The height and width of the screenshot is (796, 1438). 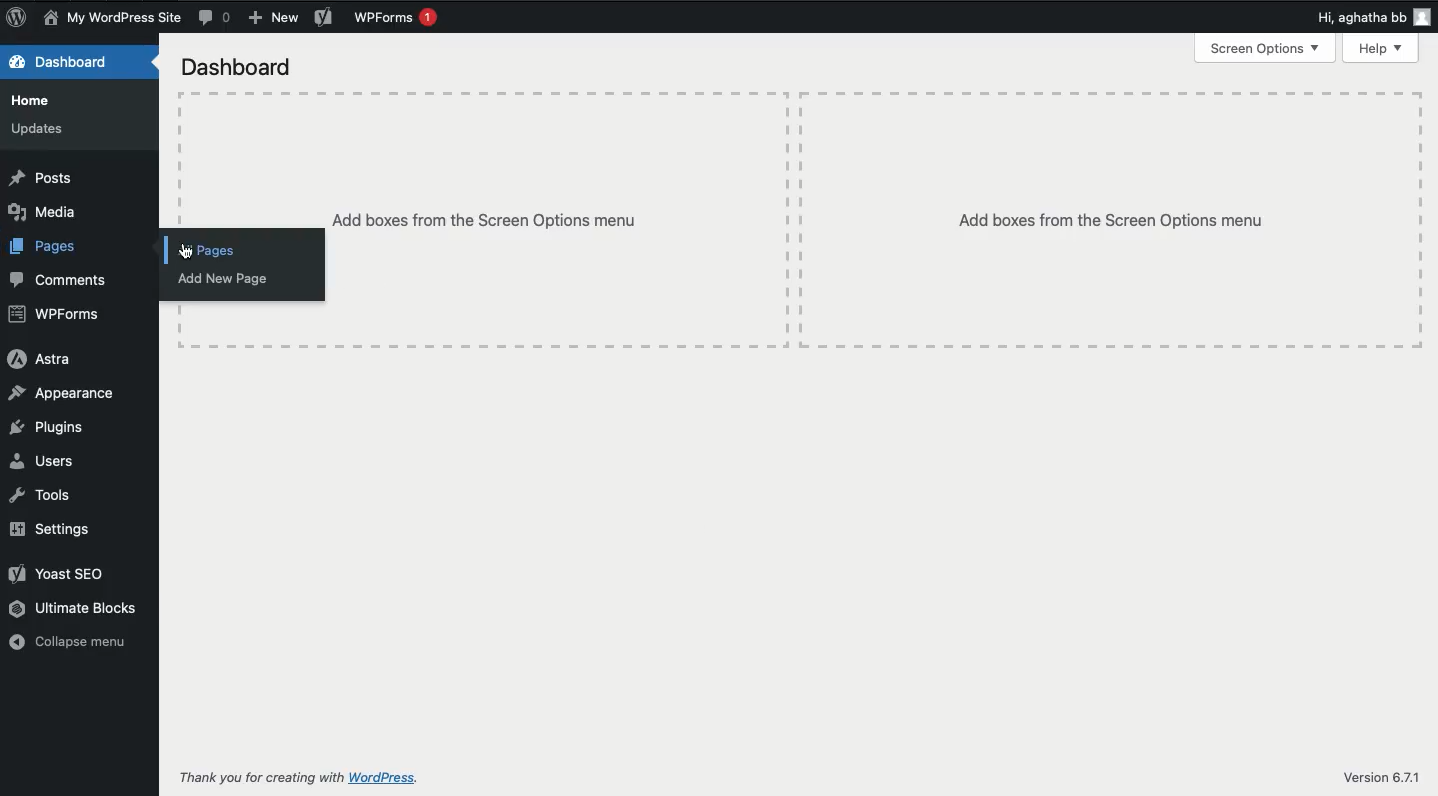 I want to click on wordpress, so click(x=387, y=777).